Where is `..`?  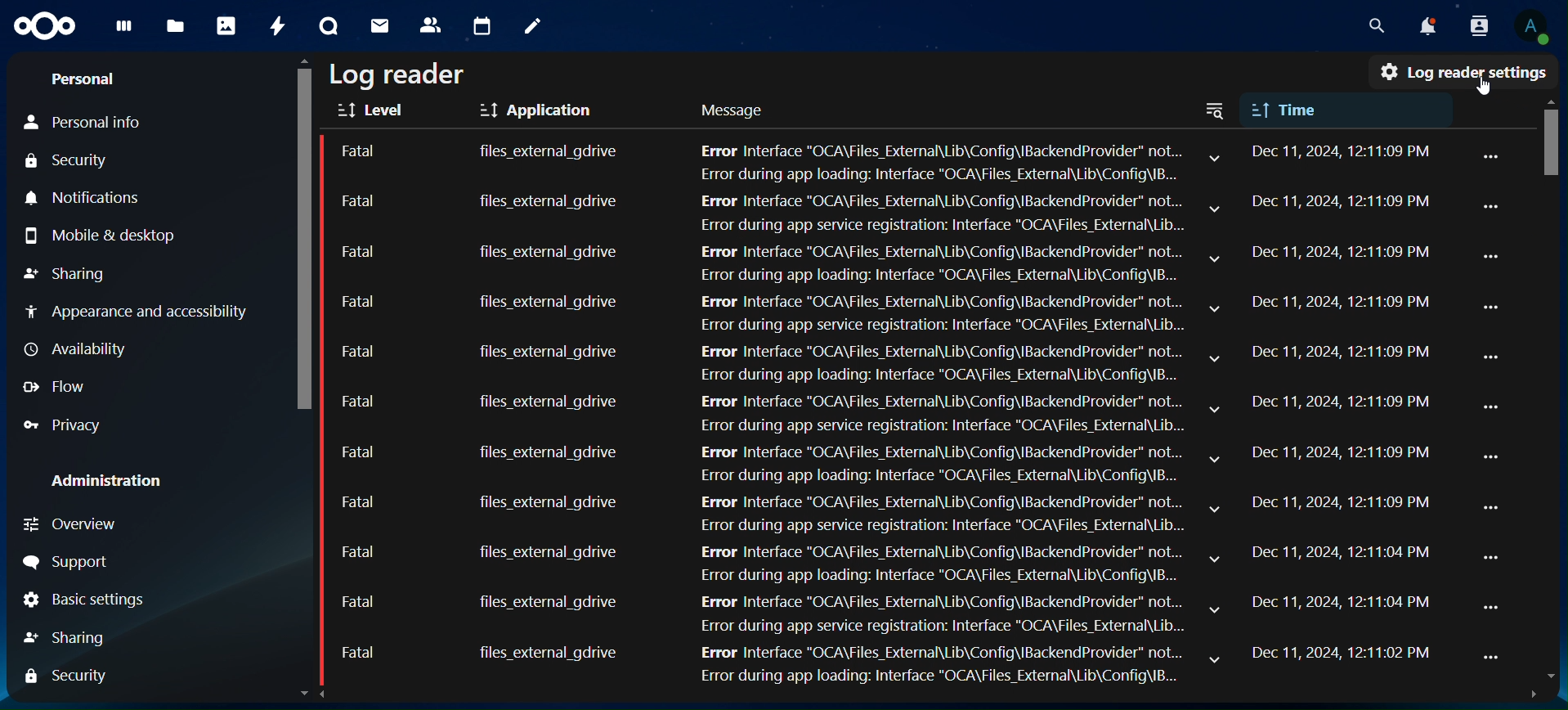
.. is located at coordinates (1491, 156).